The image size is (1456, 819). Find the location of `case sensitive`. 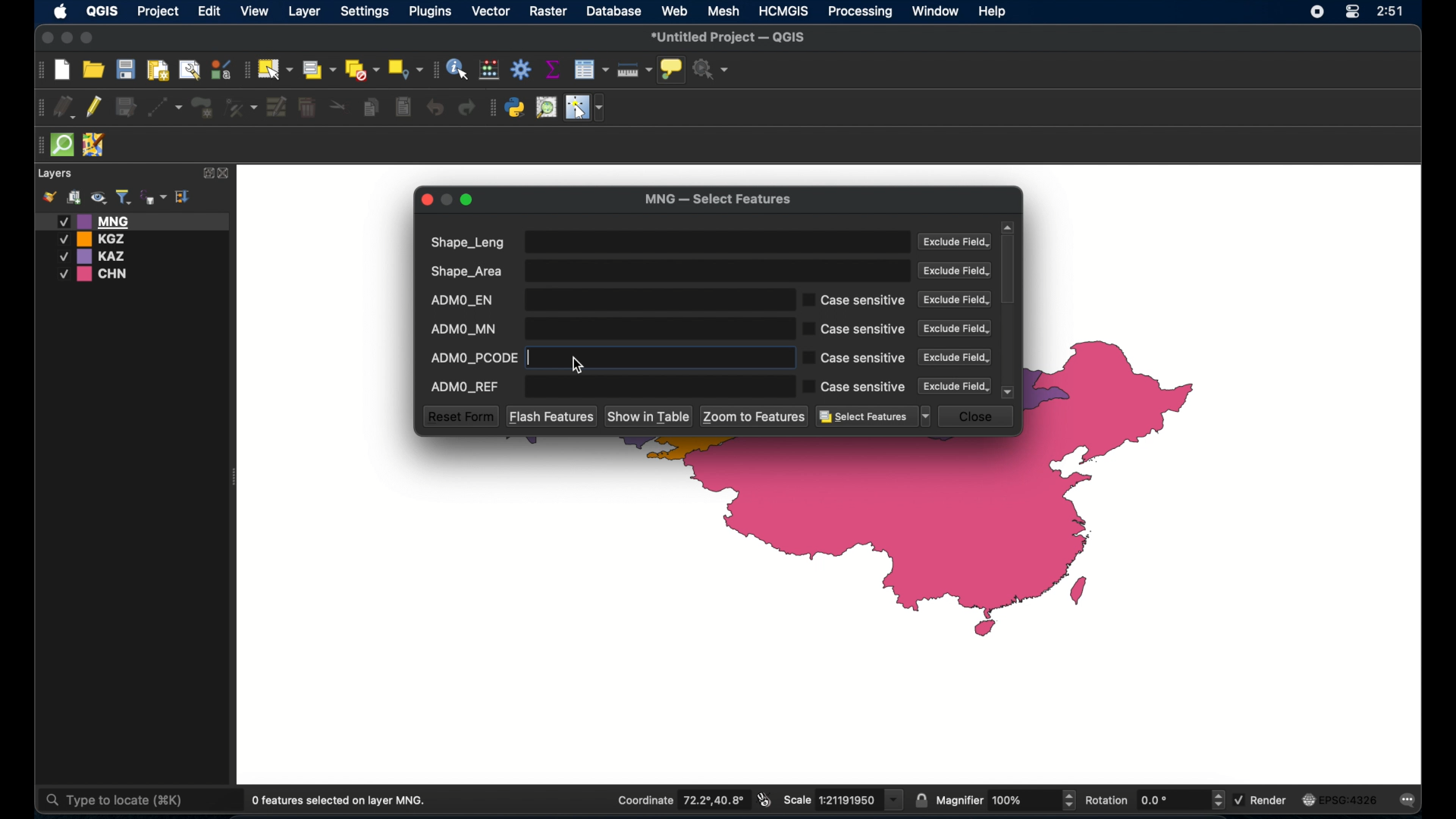

case sensitive is located at coordinates (855, 387).